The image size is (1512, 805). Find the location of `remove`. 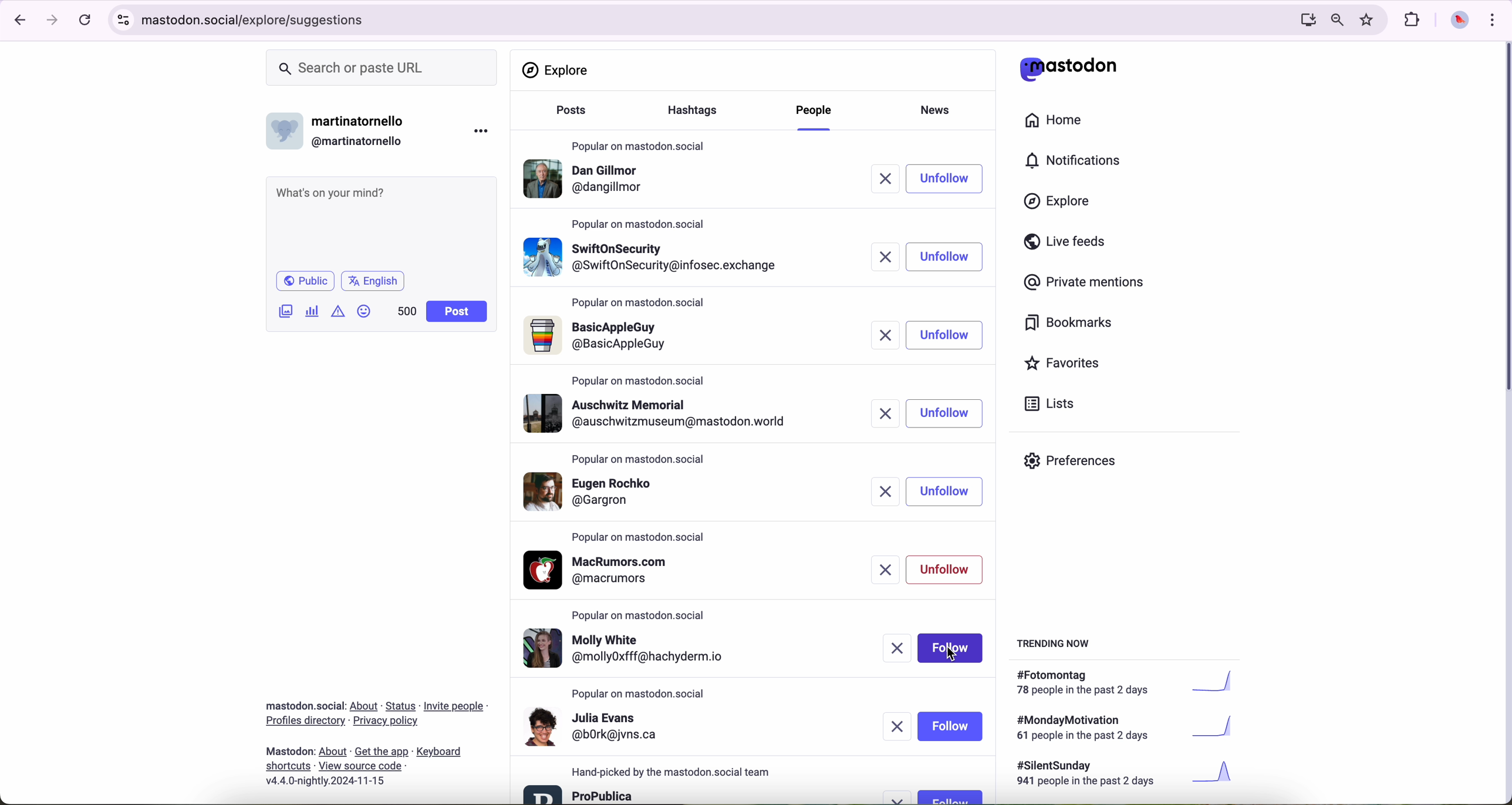

remove is located at coordinates (893, 179).